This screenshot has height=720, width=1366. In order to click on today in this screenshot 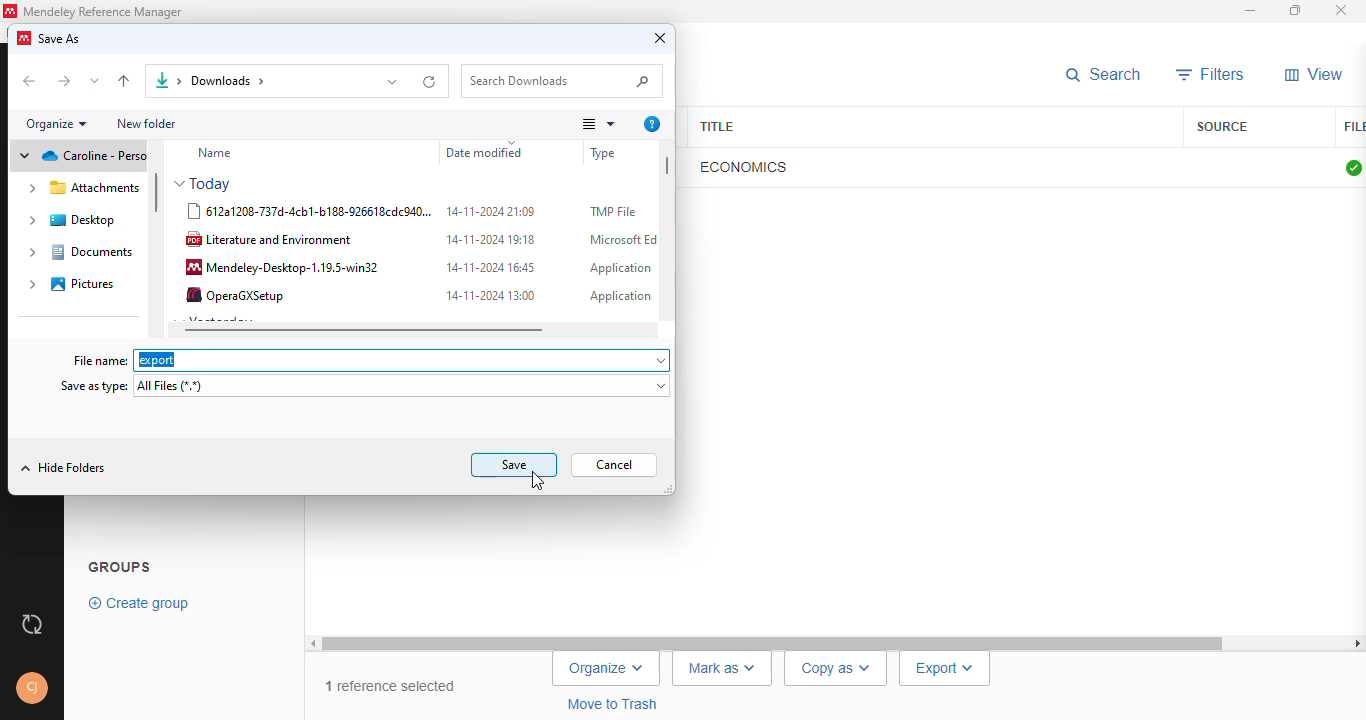, I will do `click(202, 185)`.